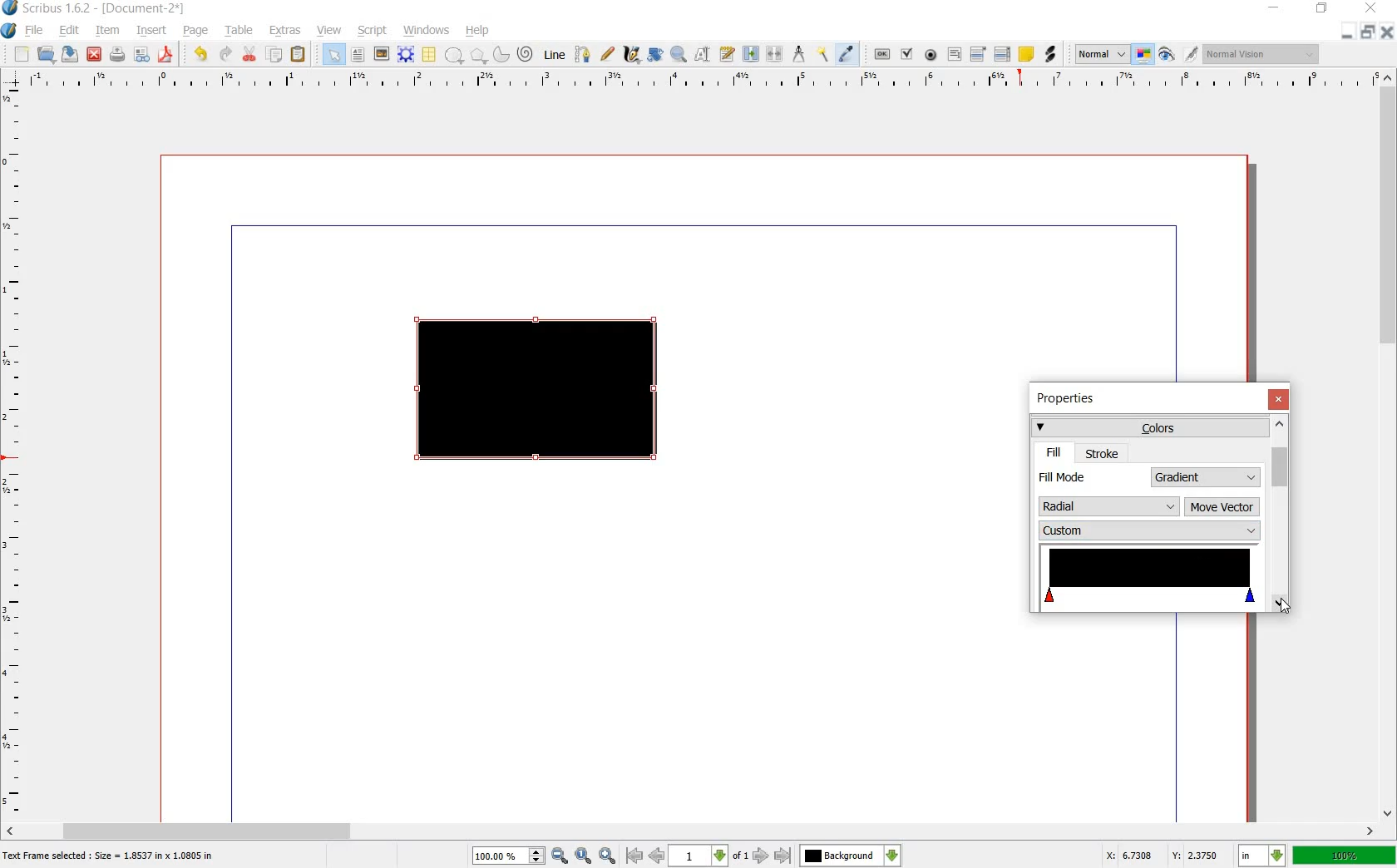  I want to click on properties, so click(1071, 400).